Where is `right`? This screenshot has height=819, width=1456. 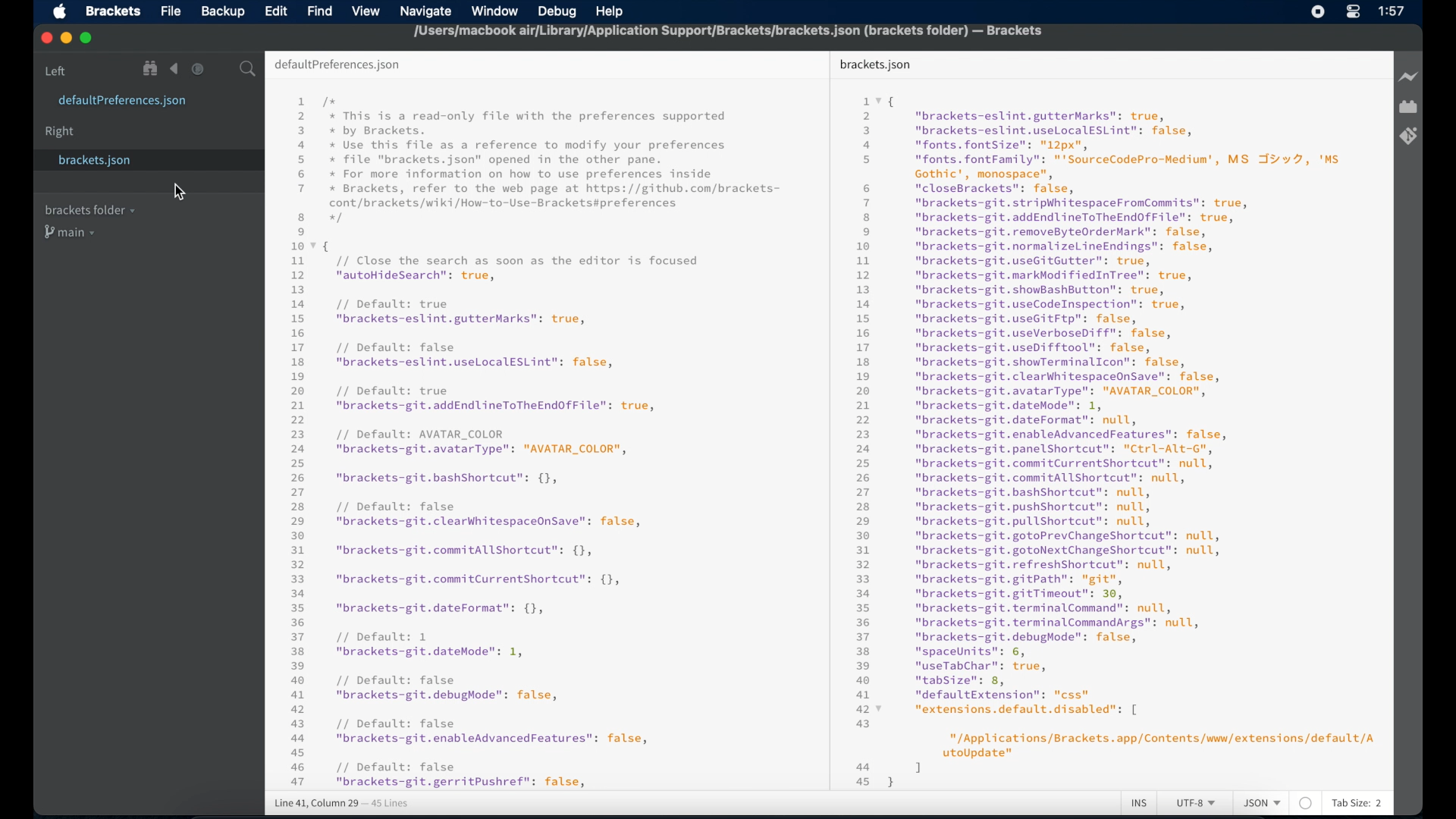
right is located at coordinates (61, 132).